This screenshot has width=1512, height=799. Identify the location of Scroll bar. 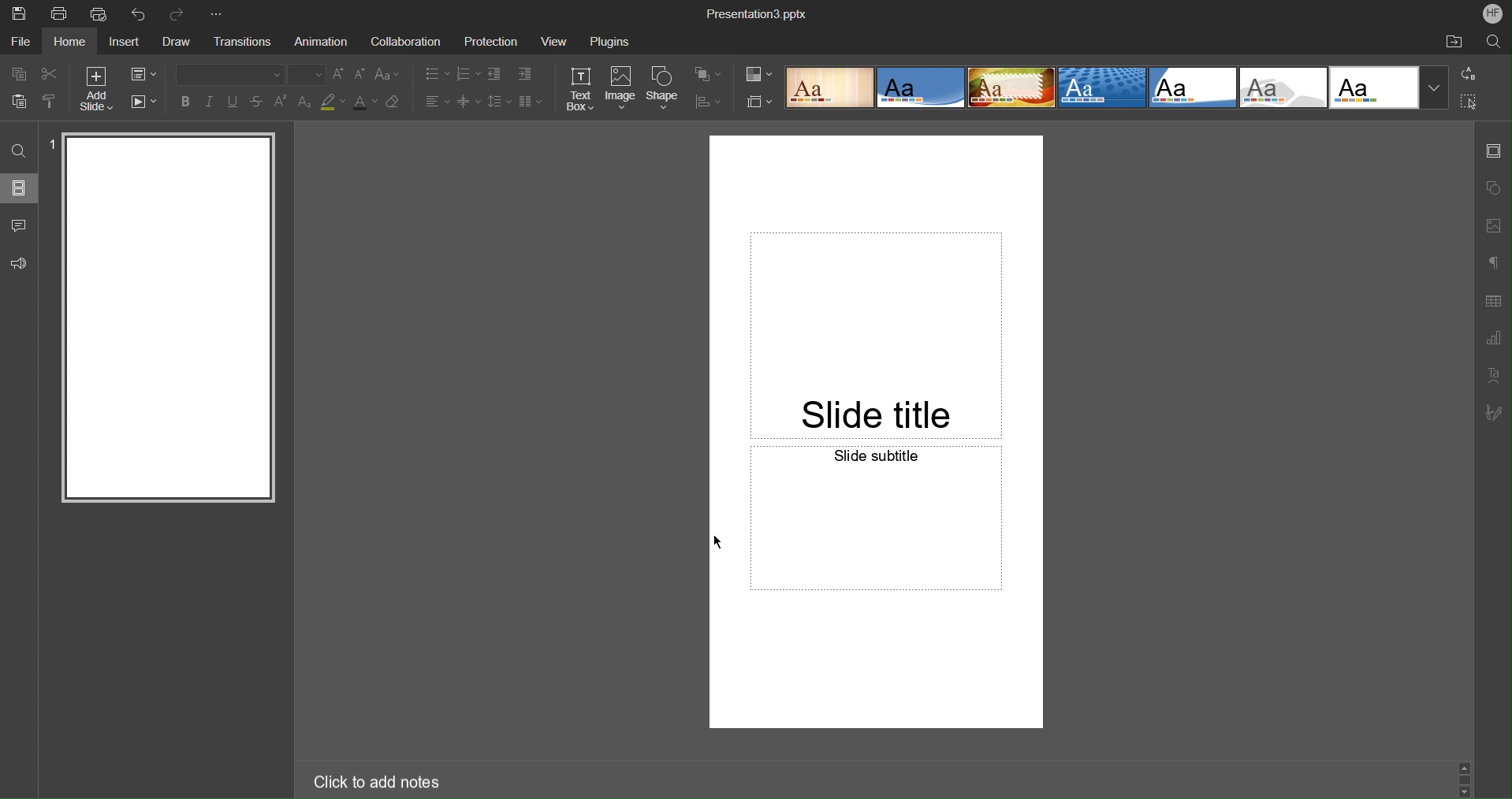
(1465, 775).